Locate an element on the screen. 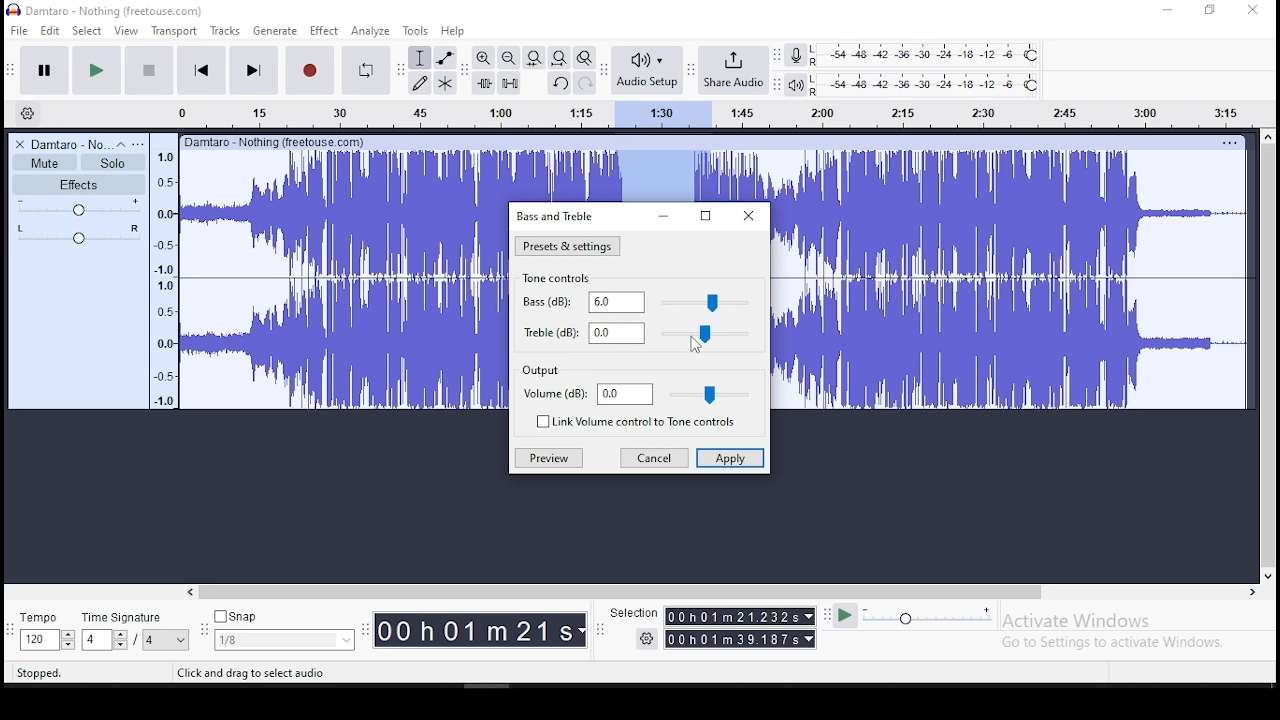  drop down is located at coordinates (583, 631).